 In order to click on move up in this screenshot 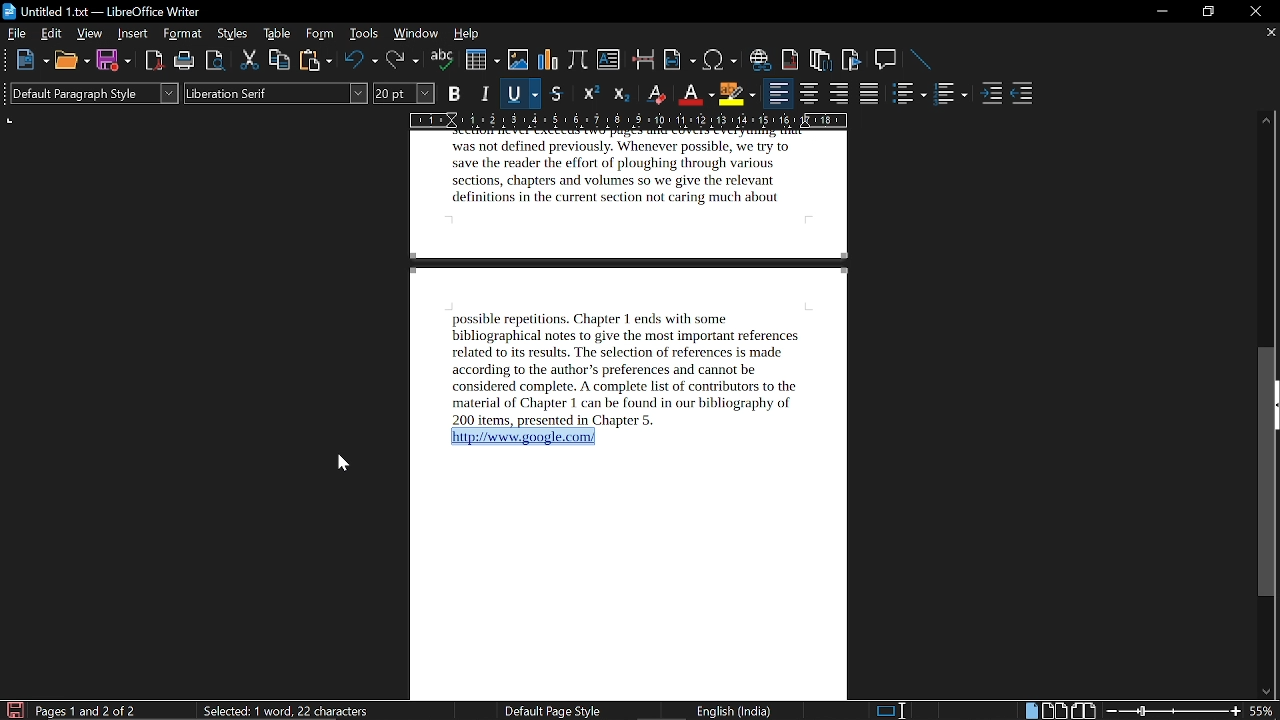, I will do `click(1268, 117)`.